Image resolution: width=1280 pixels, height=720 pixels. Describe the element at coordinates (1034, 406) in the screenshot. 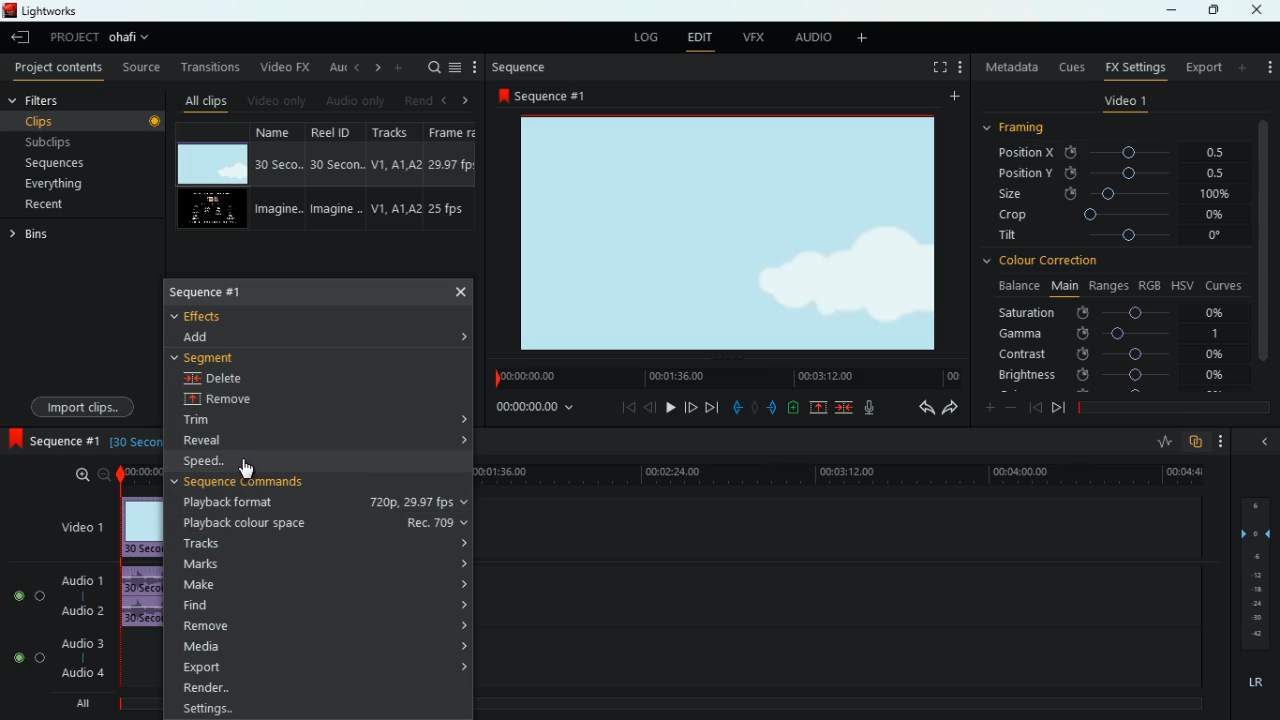

I see `beggining` at that location.